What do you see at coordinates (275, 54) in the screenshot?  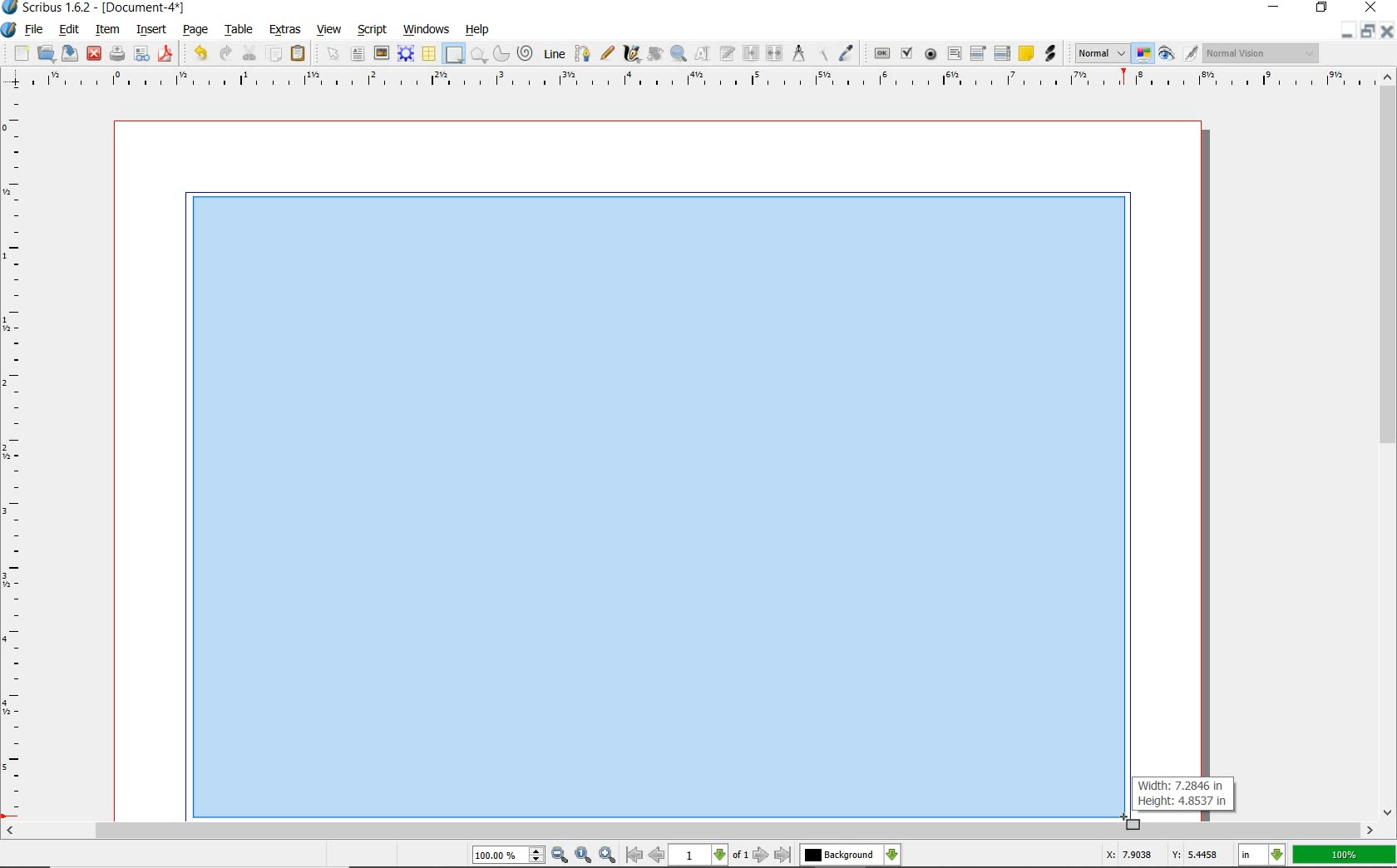 I see `copy` at bounding box center [275, 54].